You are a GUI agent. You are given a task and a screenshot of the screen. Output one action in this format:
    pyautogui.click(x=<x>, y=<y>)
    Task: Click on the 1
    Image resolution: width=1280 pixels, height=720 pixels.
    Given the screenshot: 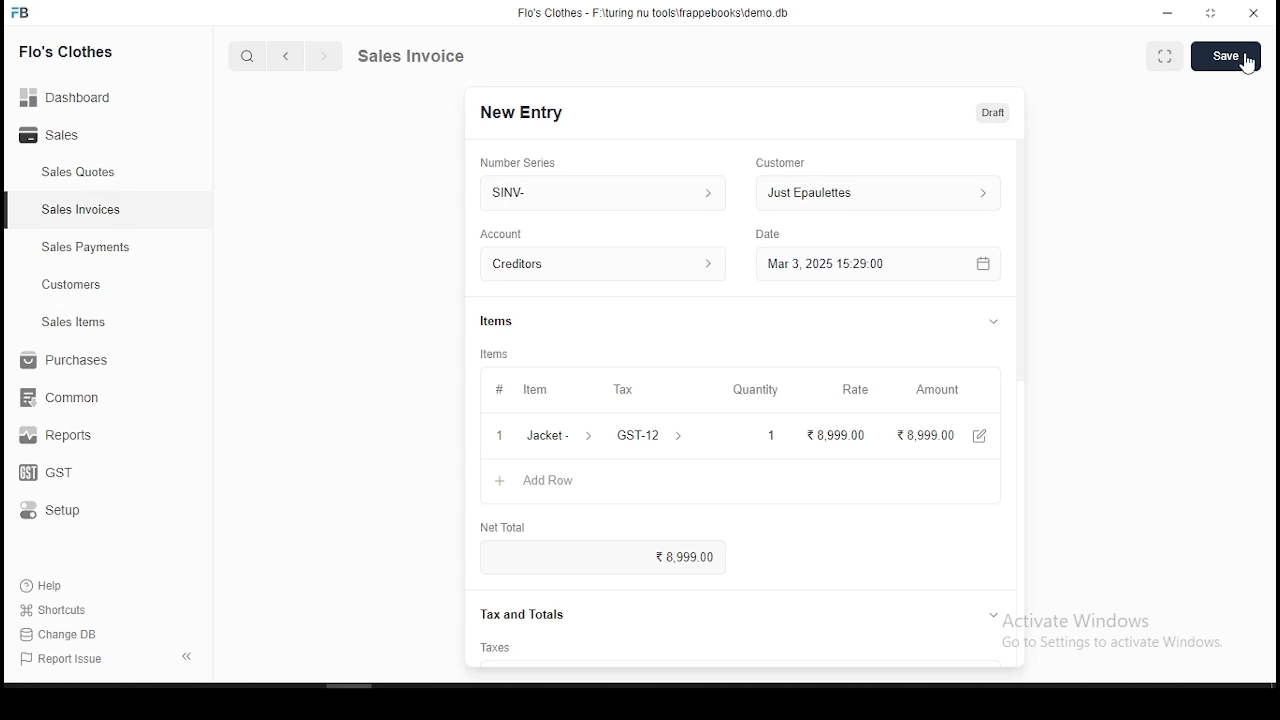 What is the action you would take?
    pyautogui.click(x=771, y=434)
    